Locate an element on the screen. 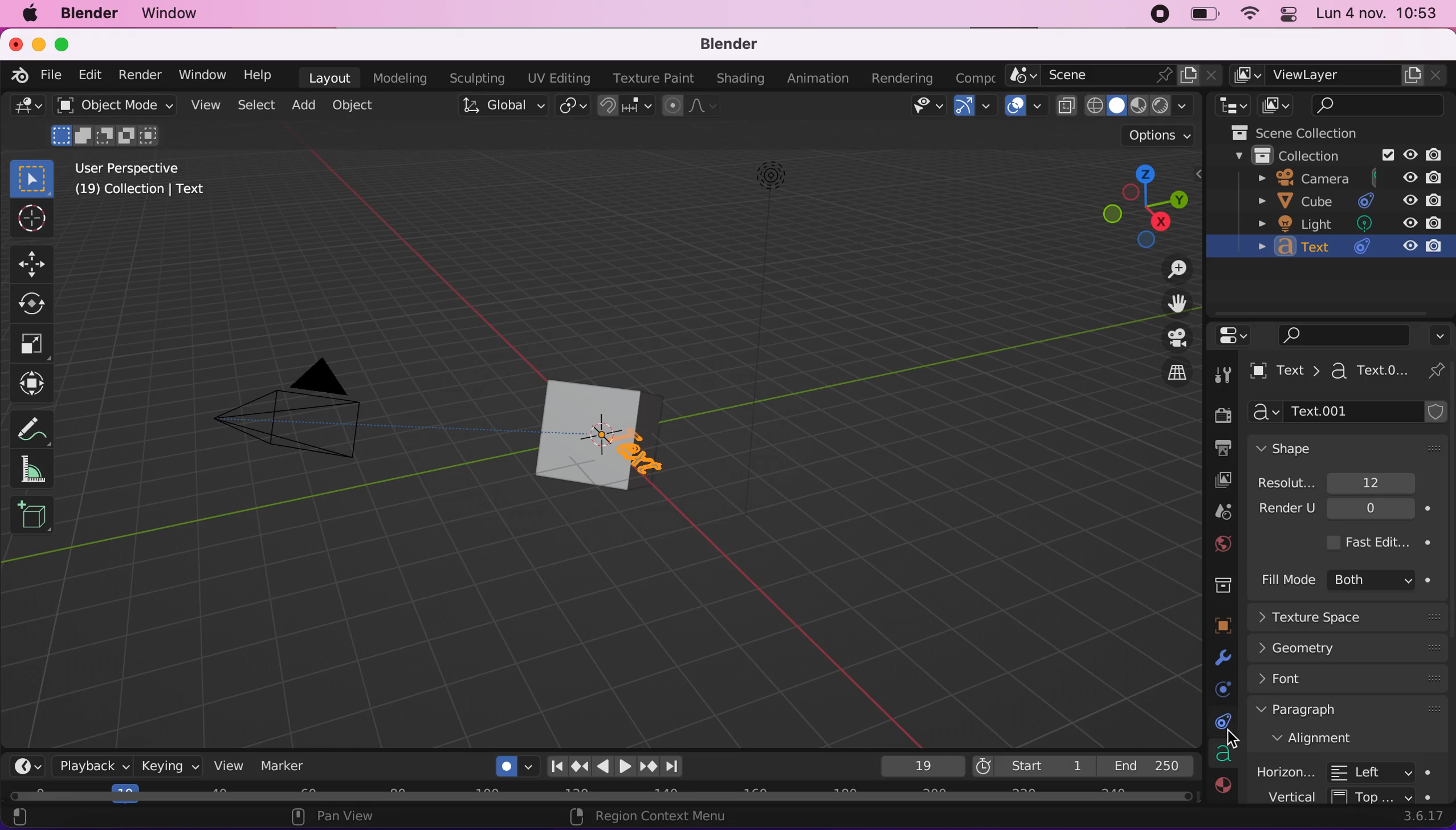 The width and height of the screenshot is (1456, 830). camera is located at coordinates (309, 422).